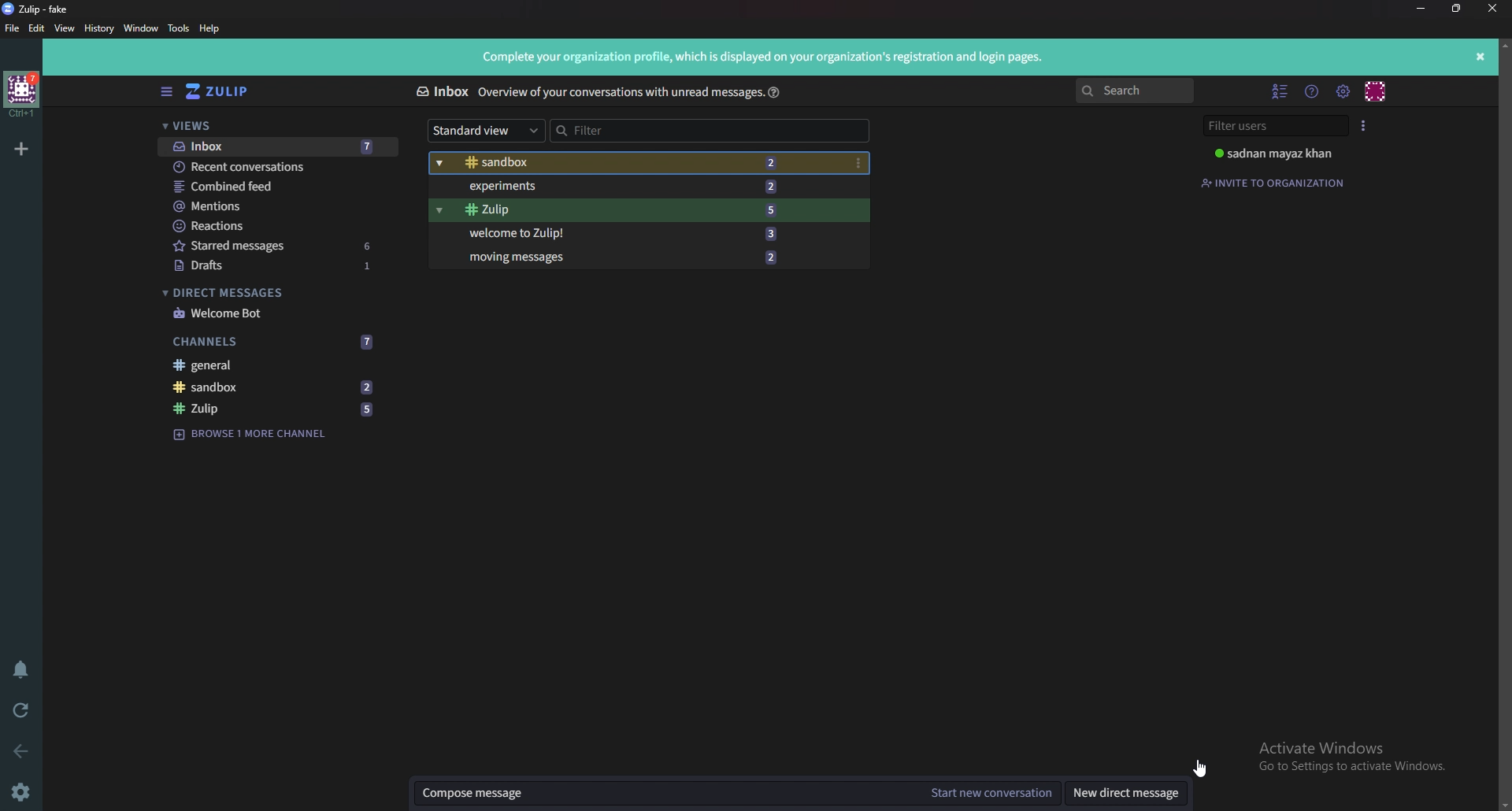 This screenshot has width=1512, height=811. What do you see at coordinates (276, 341) in the screenshot?
I see `Channels` at bounding box center [276, 341].